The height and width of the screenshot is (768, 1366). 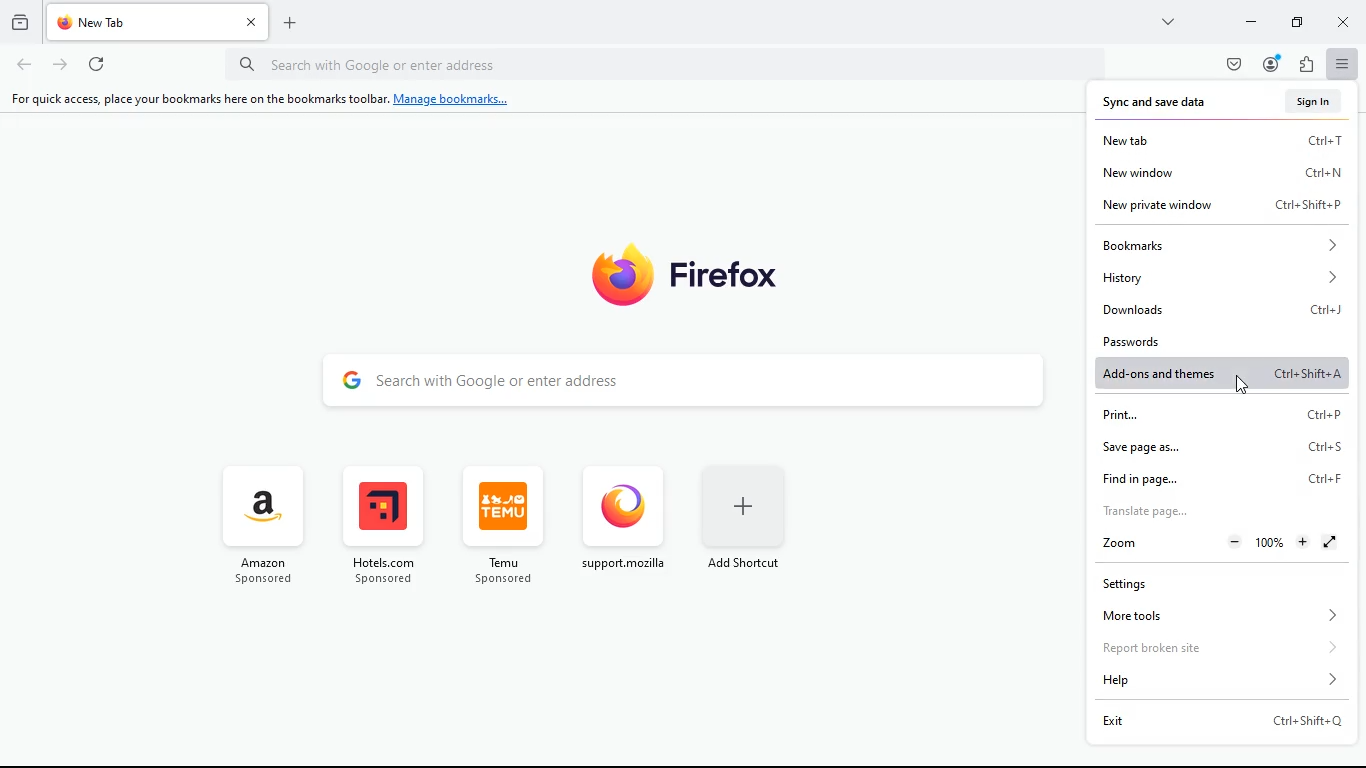 I want to click on downloads  ctrl+j, so click(x=1219, y=310).